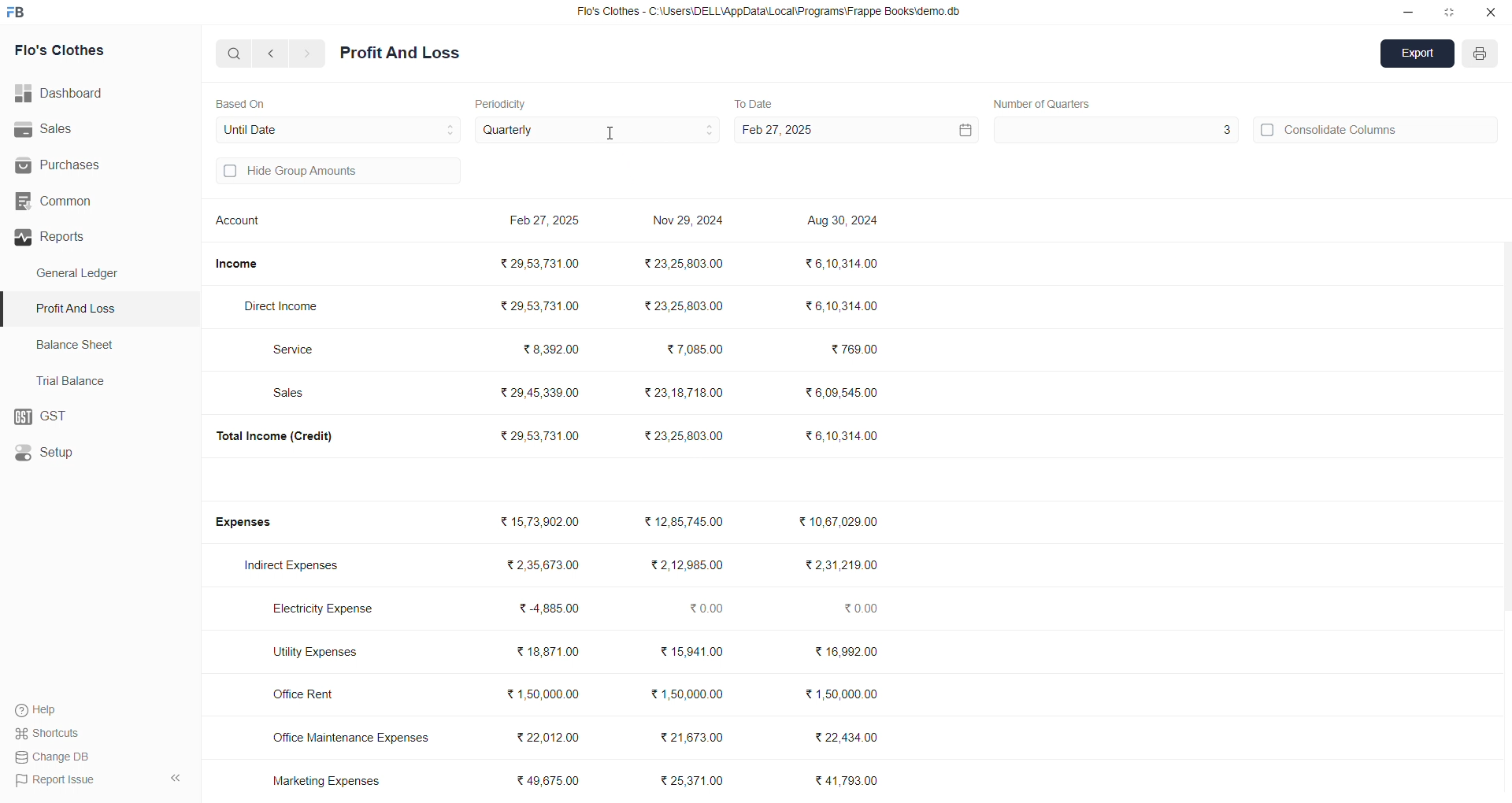  What do you see at coordinates (243, 264) in the screenshot?
I see `Income` at bounding box center [243, 264].